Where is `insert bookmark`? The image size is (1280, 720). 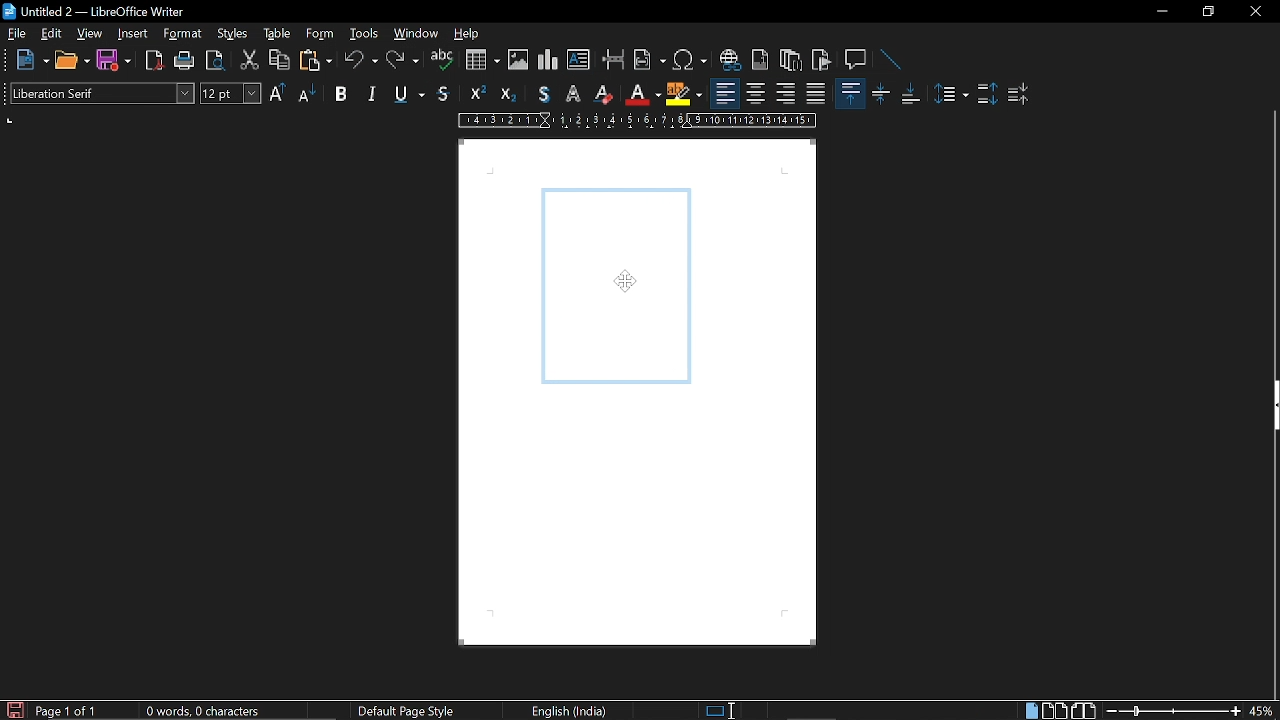 insert bookmark is located at coordinates (822, 60).